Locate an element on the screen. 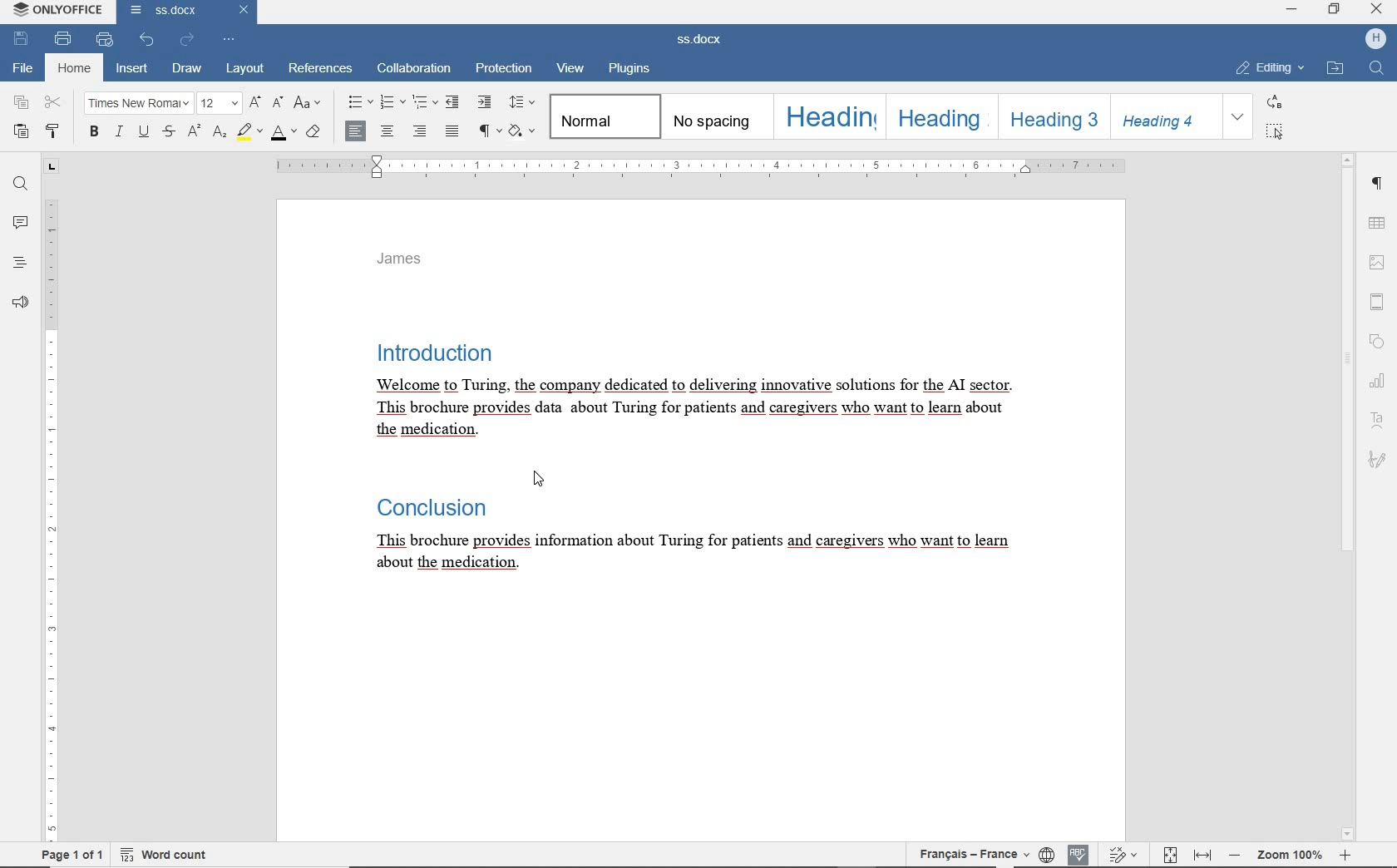  QUICK PRINT is located at coordinates (104, 40).